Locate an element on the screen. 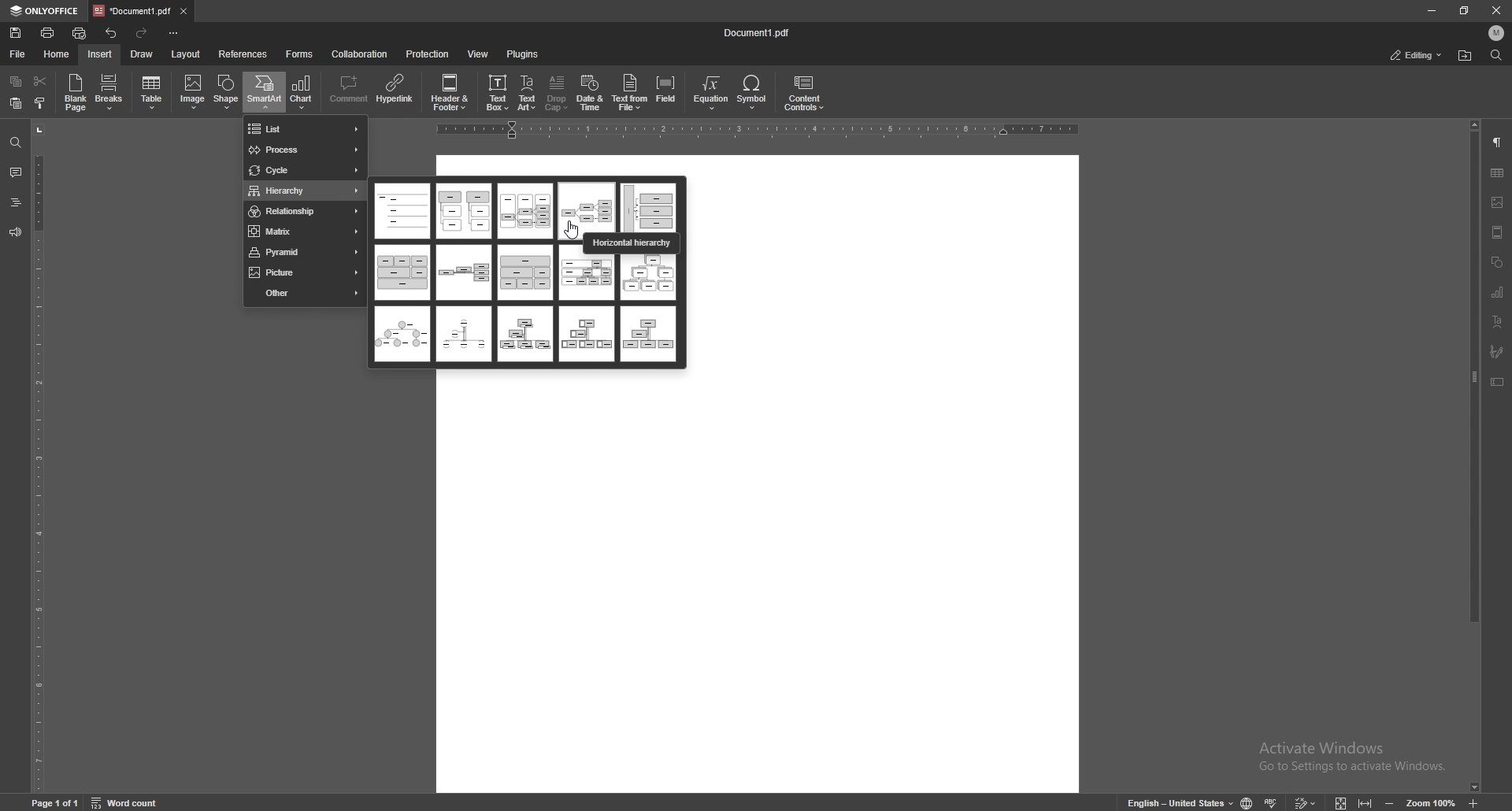  image is located at coordinates (192, 92).